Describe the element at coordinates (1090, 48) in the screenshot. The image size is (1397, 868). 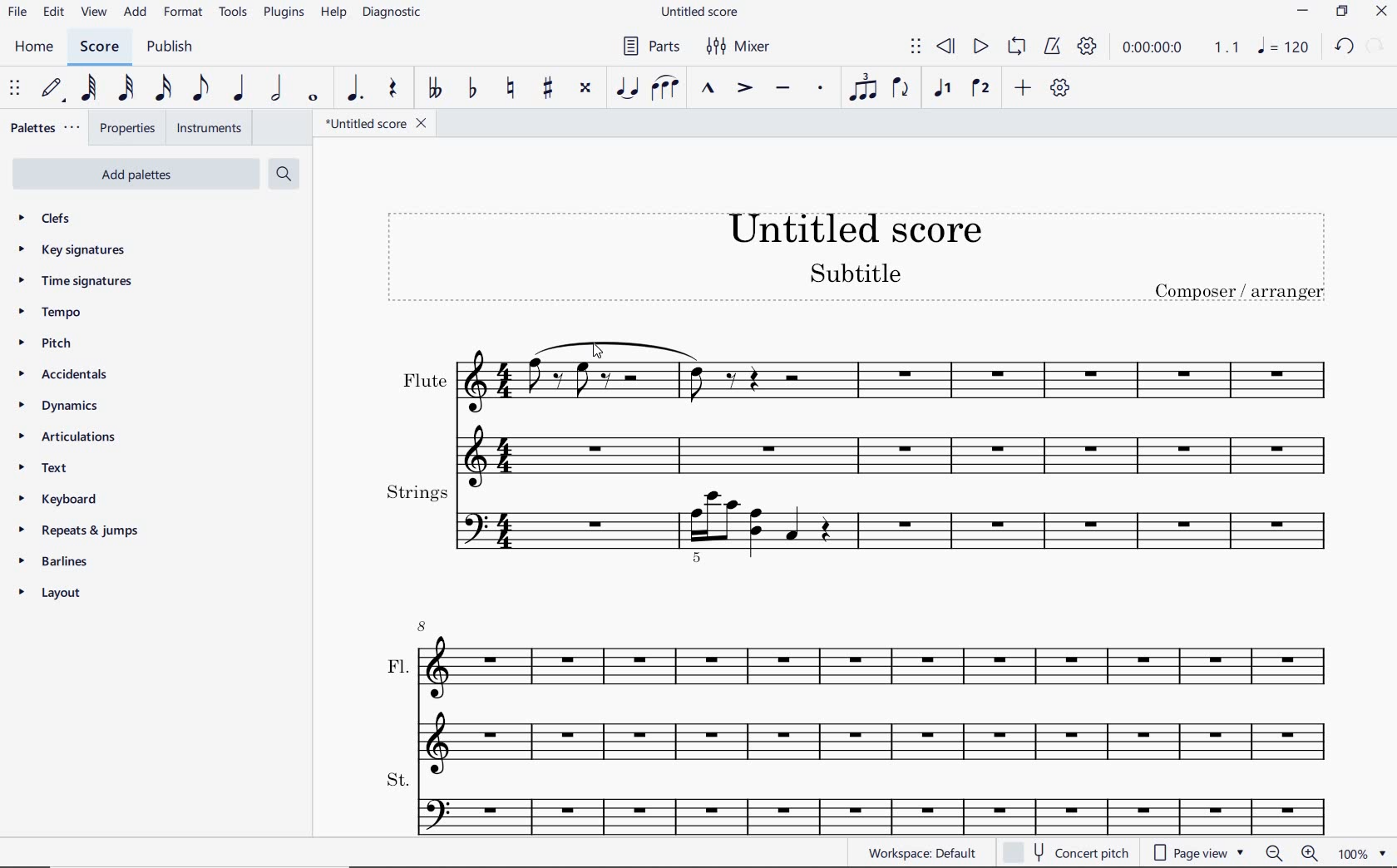
I see `PLAYBACK SETTINGS` at that location.